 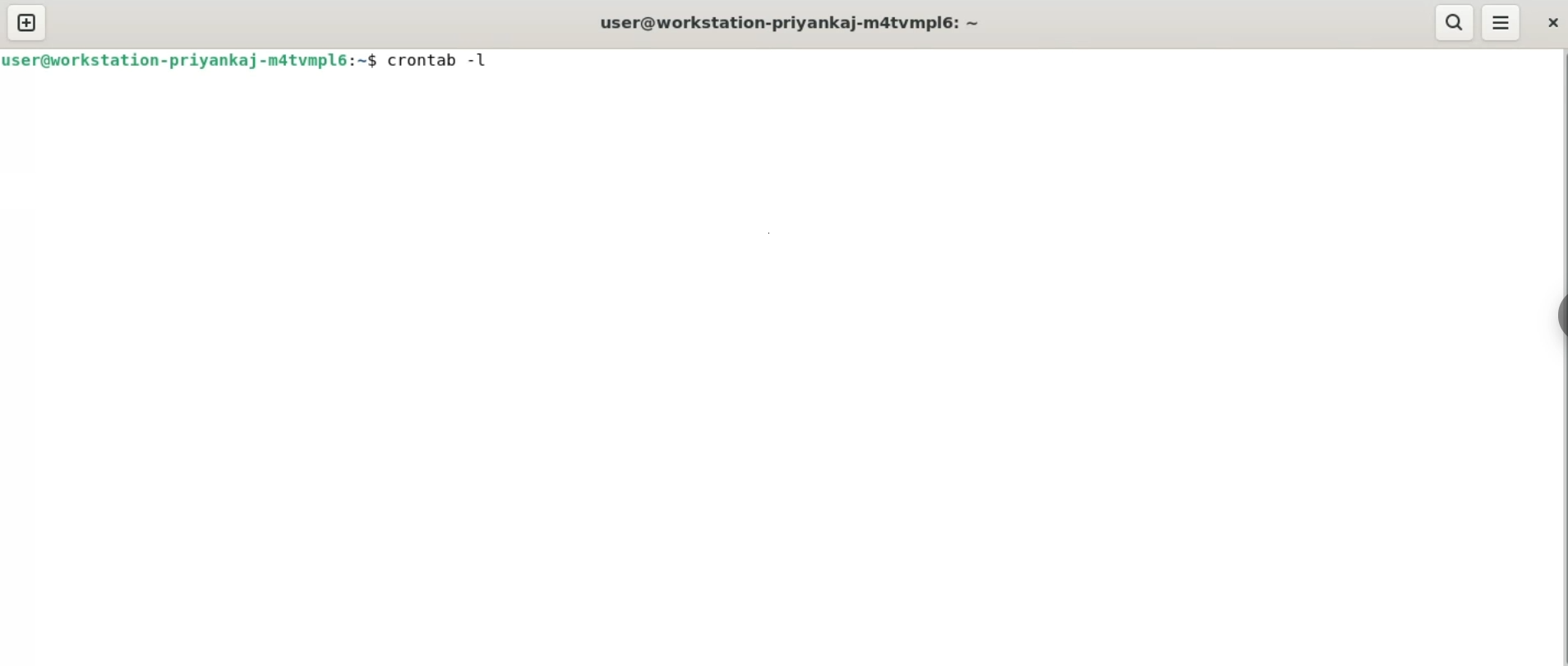 I want to click on search, so click(x=1457, y=22).